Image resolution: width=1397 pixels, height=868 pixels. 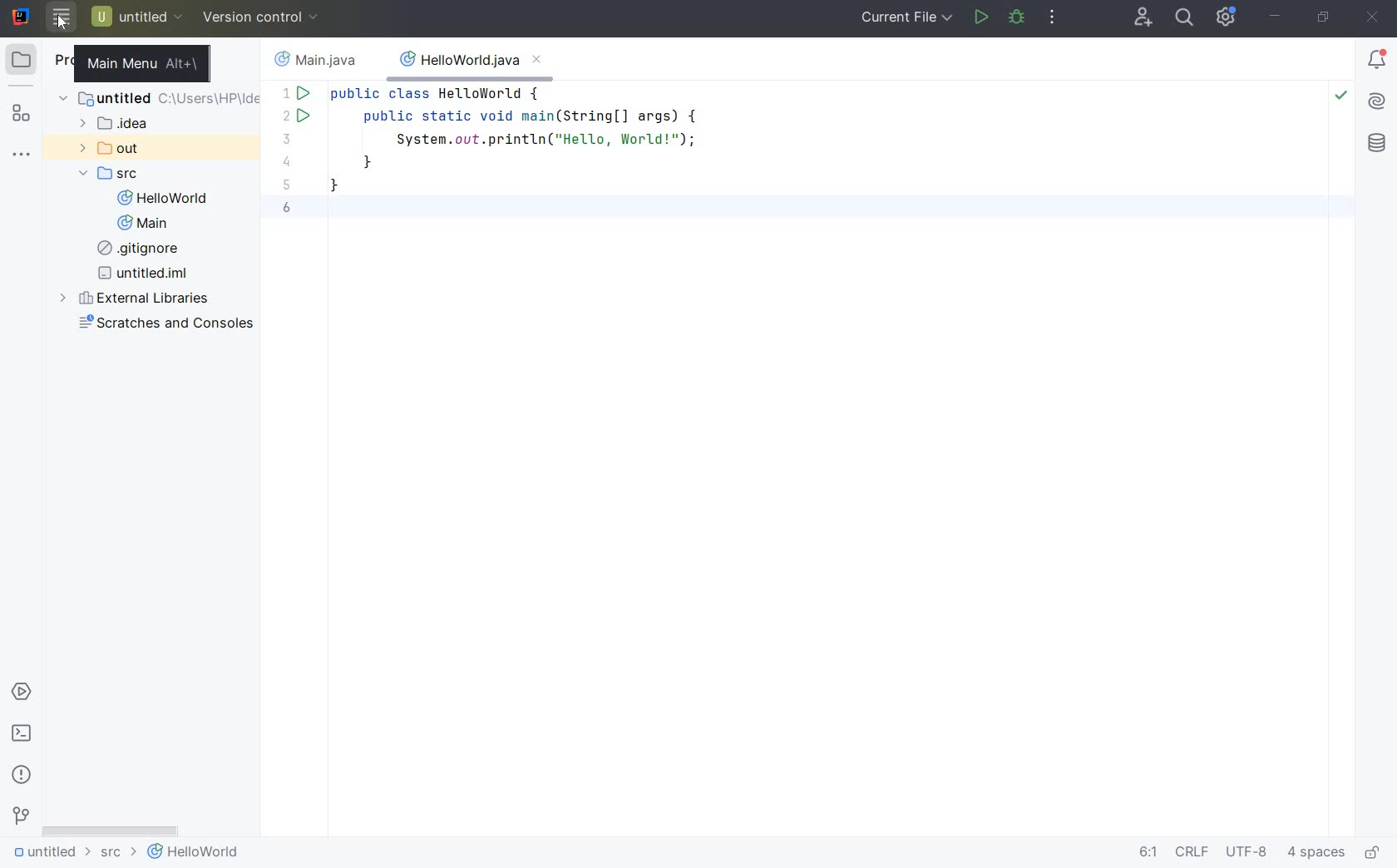 What do you see at coordinates (141, 62) in the screenshot?
I see `main menu` at bounding box center [141, 62].